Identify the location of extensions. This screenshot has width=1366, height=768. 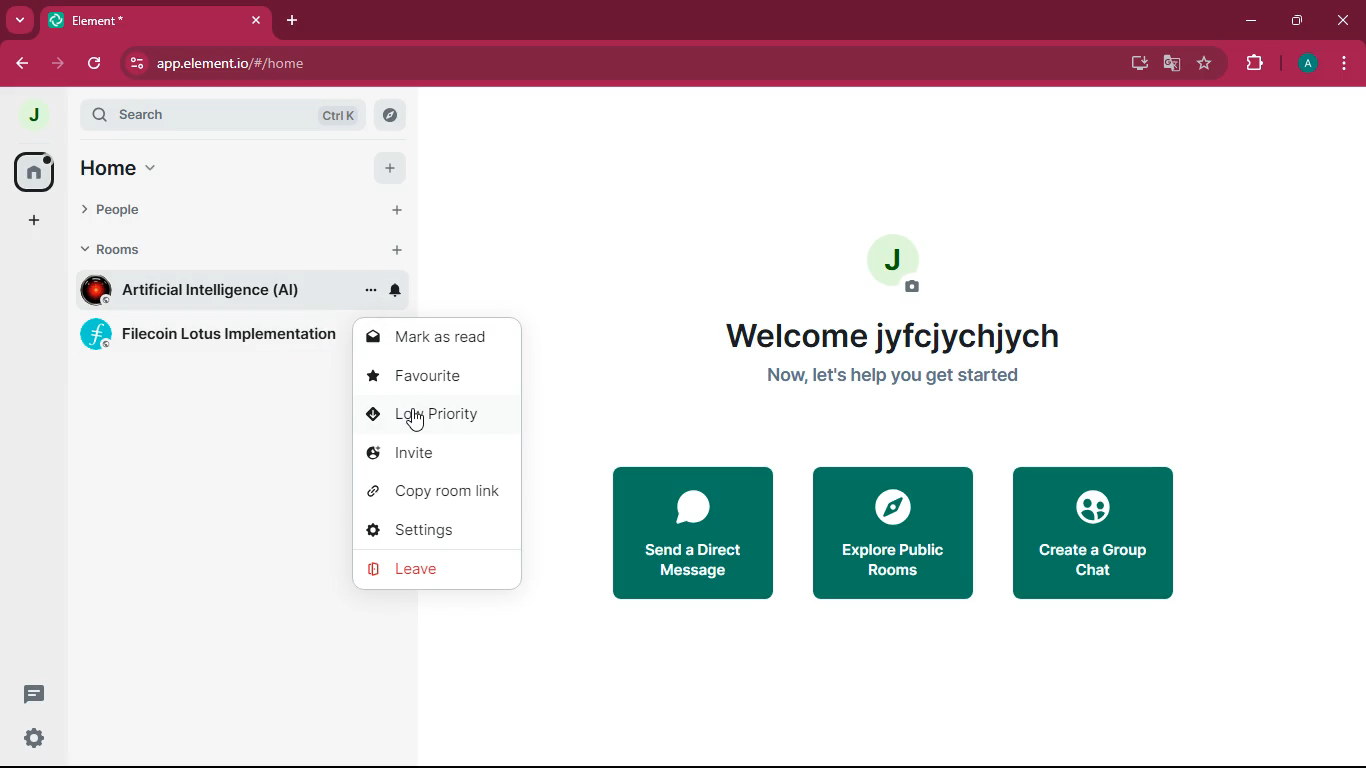
(1254, 65).